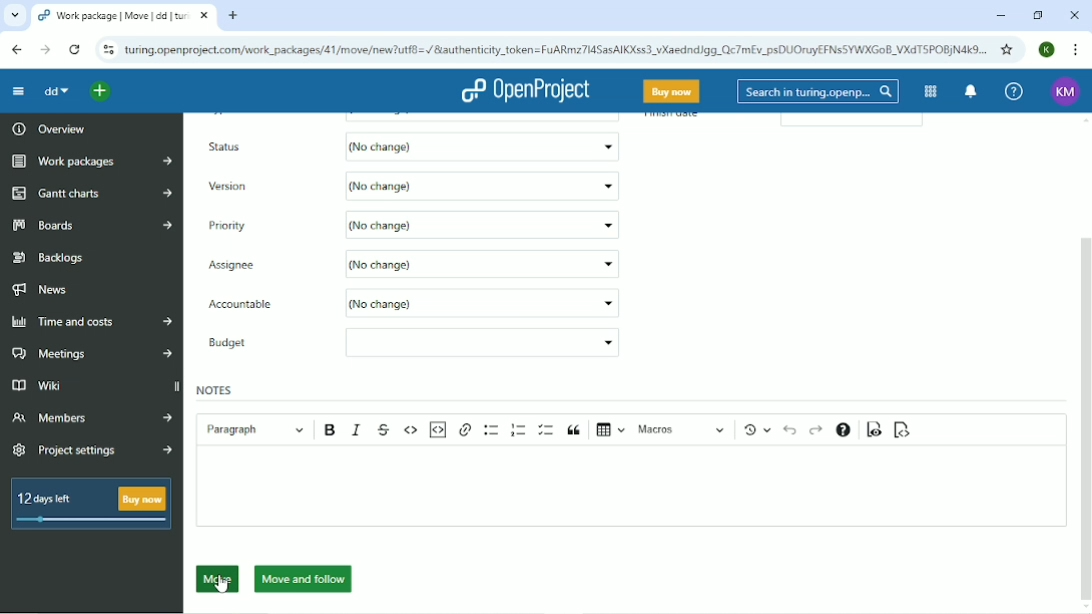 The height and width of the screenshot is (614, 1092). I want to click on Insert table, so click(608, 428).